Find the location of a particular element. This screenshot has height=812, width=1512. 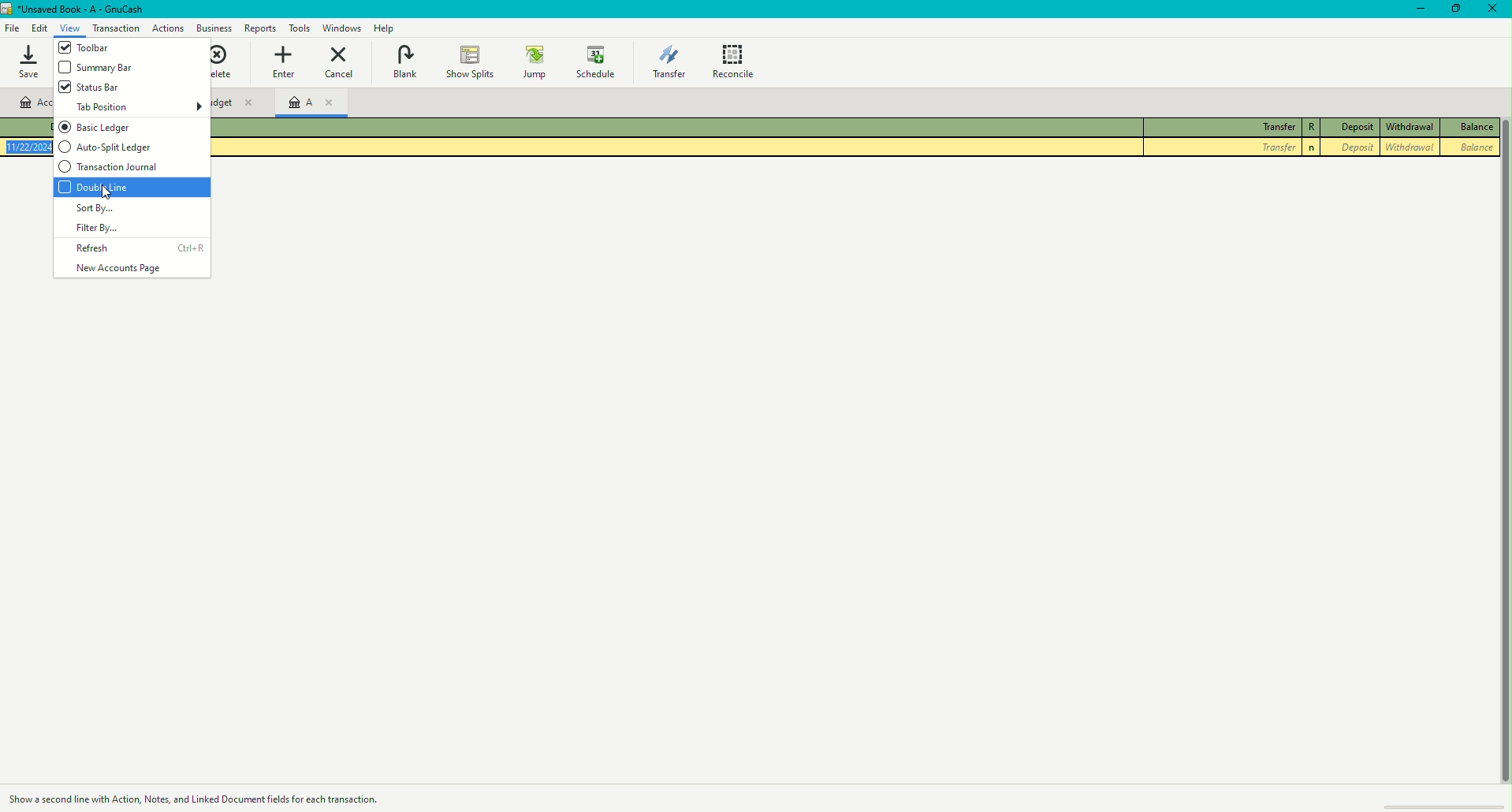

Jump is located at coordinates (534, 62).